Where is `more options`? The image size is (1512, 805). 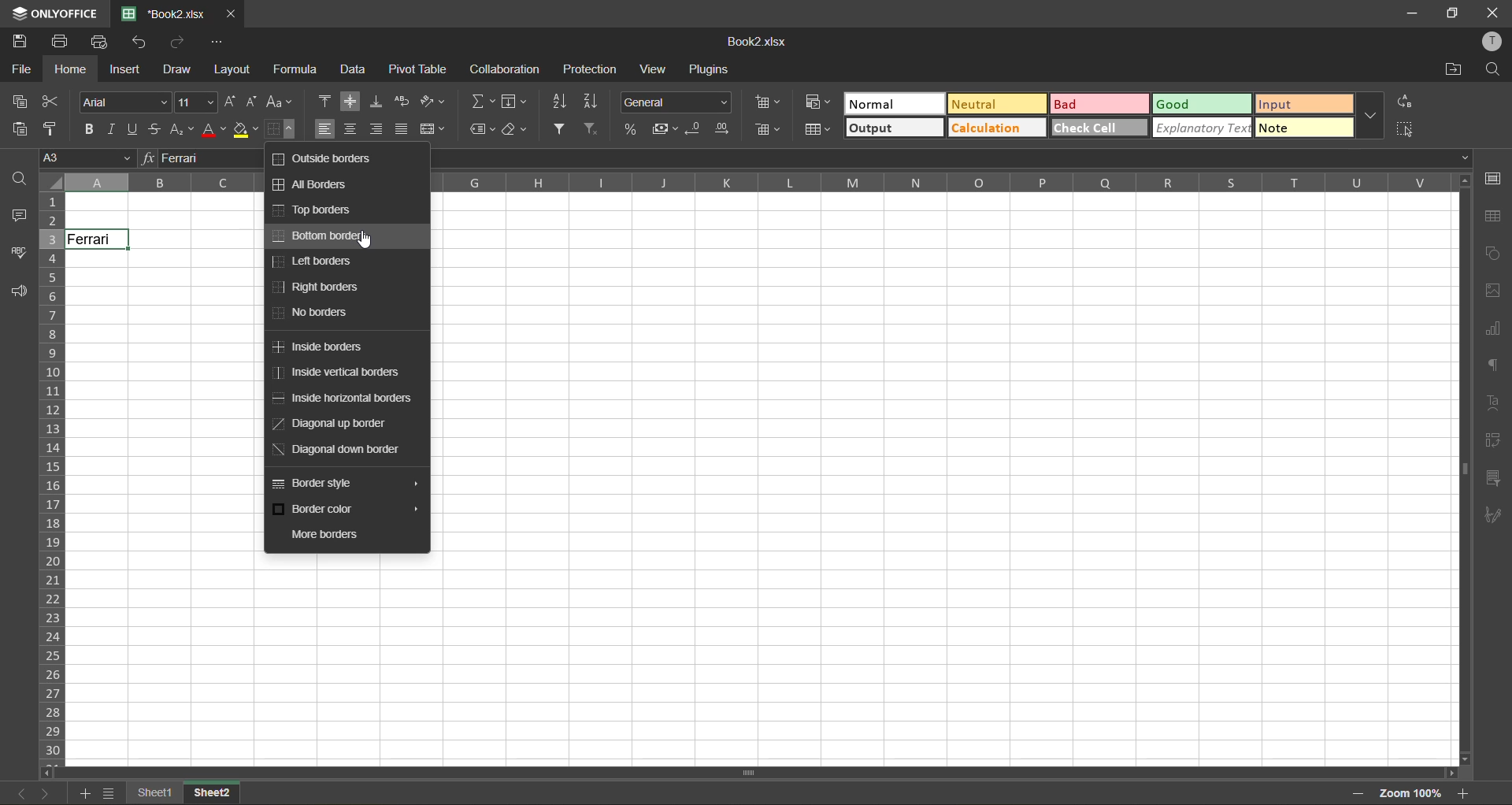
more options is located at coordinates (1372, 117).